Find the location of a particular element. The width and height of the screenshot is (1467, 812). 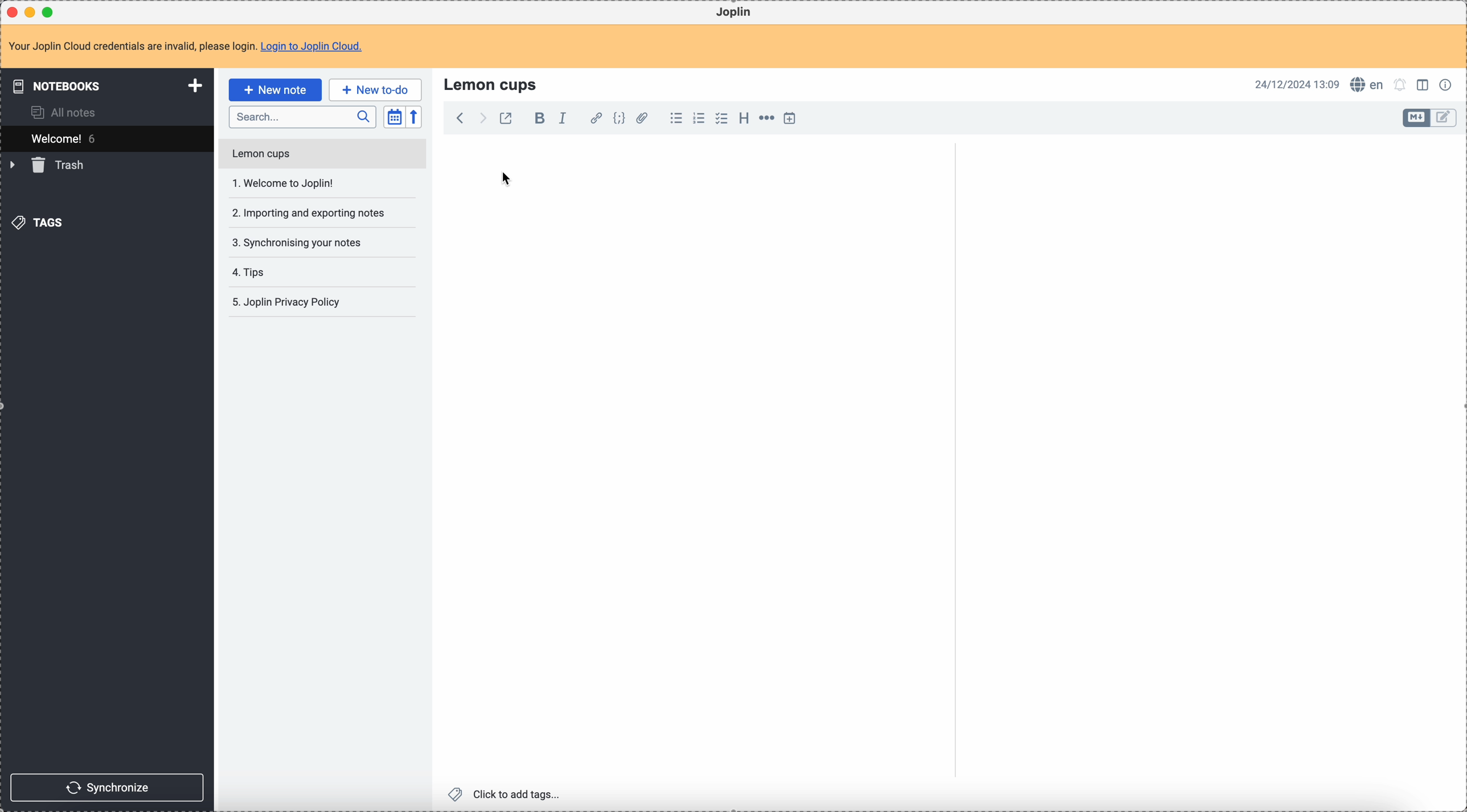

horizontal rule is located at coordinates (765, 120).